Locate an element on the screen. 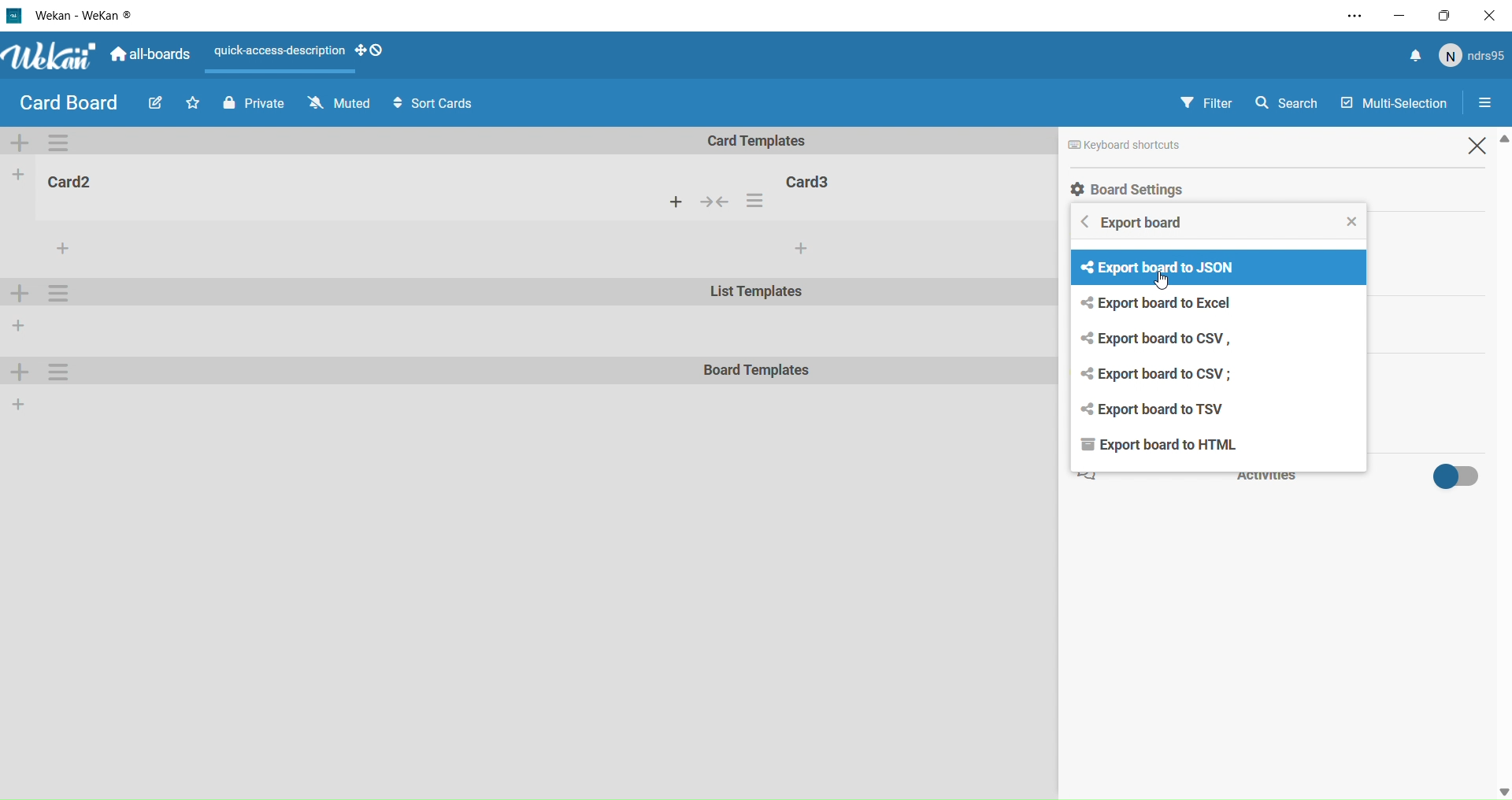 The width and height of the screenshot is (1512, 800).  is located at coordinates (53, 55).